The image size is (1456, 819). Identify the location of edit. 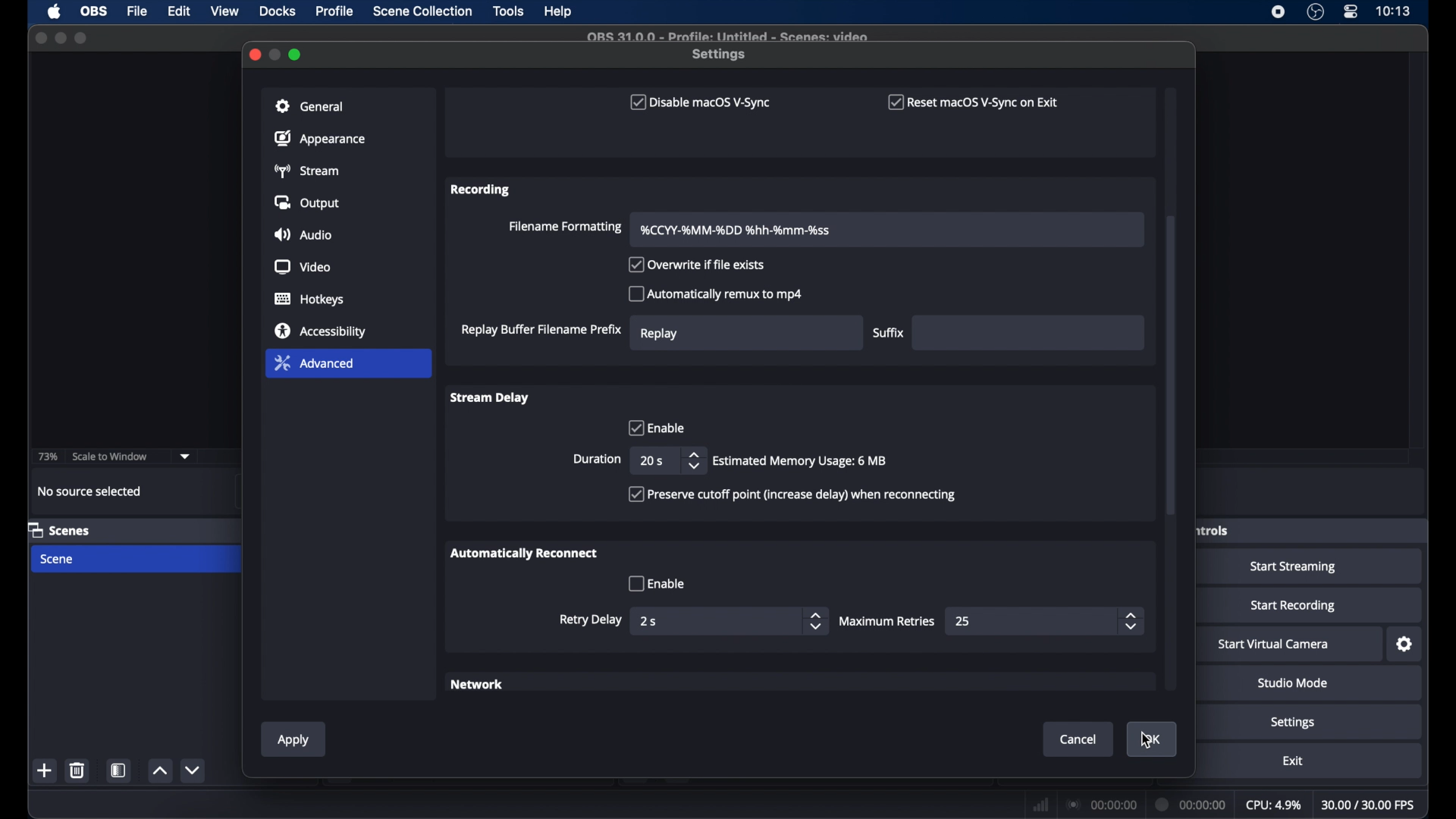
(178, 11).